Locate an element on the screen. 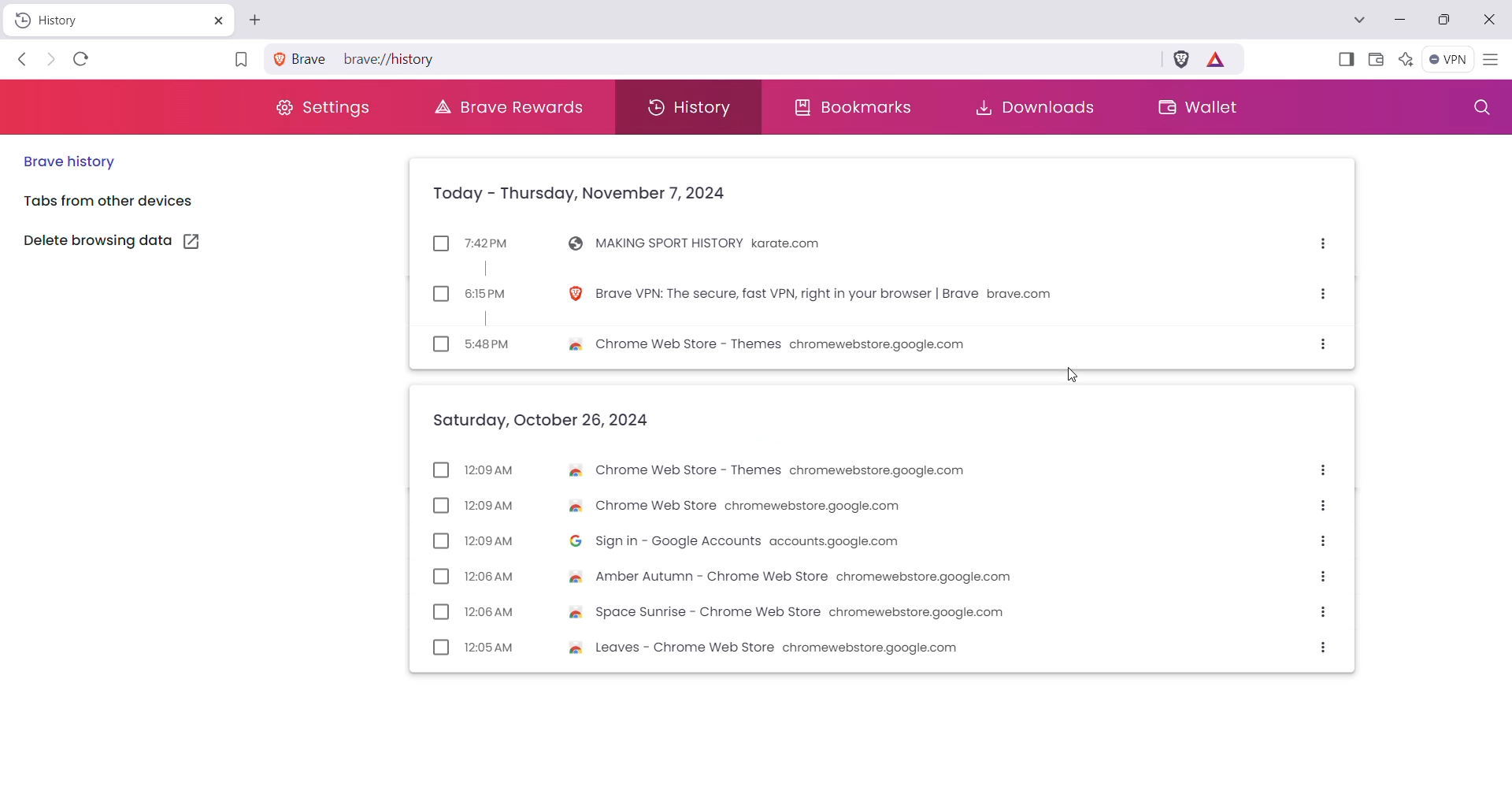 The height and width of the screenshot is (802, 1512). More options is located at coordinates (1310, 249).